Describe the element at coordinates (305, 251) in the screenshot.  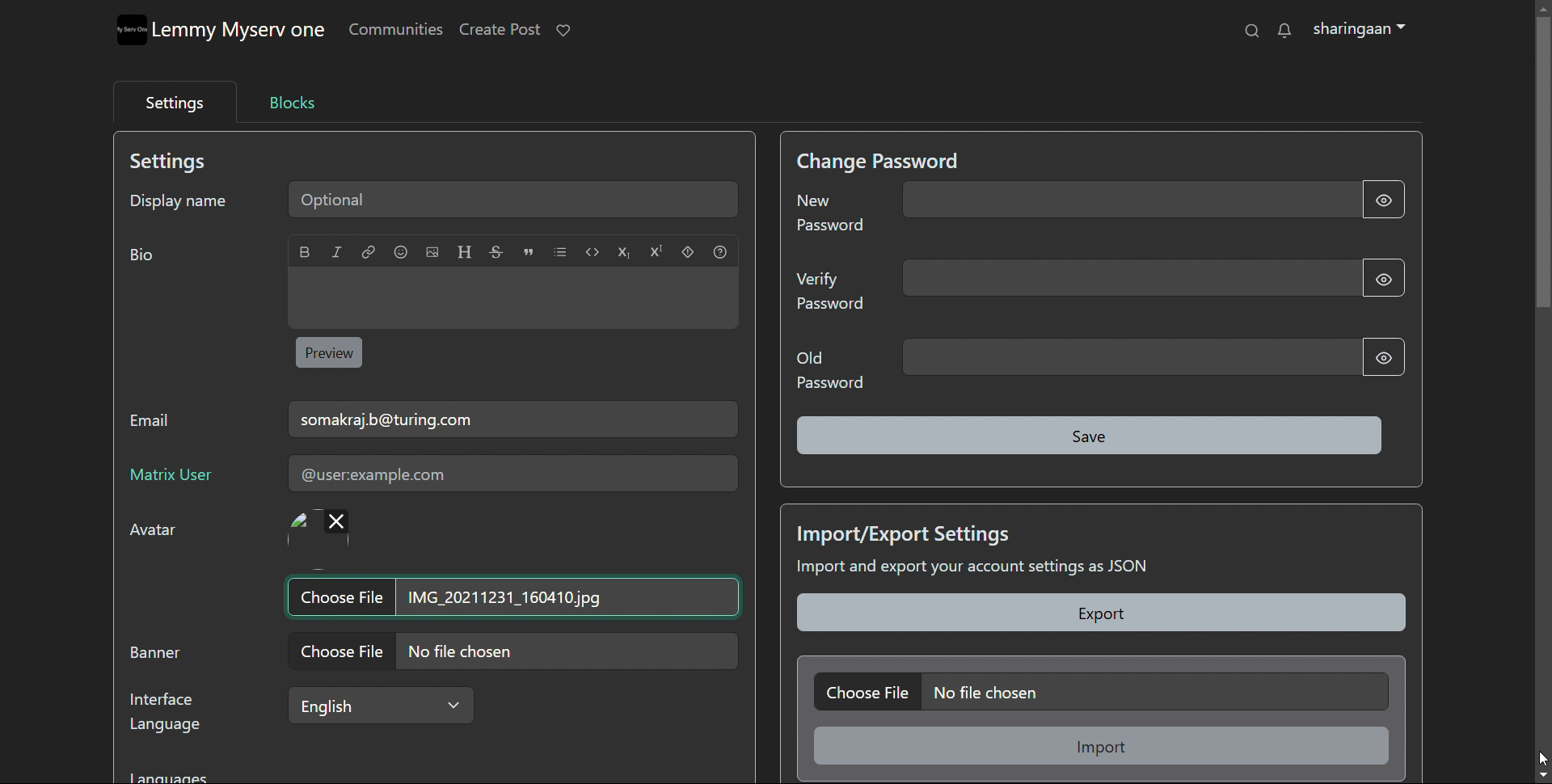
I see `bold` at that location.